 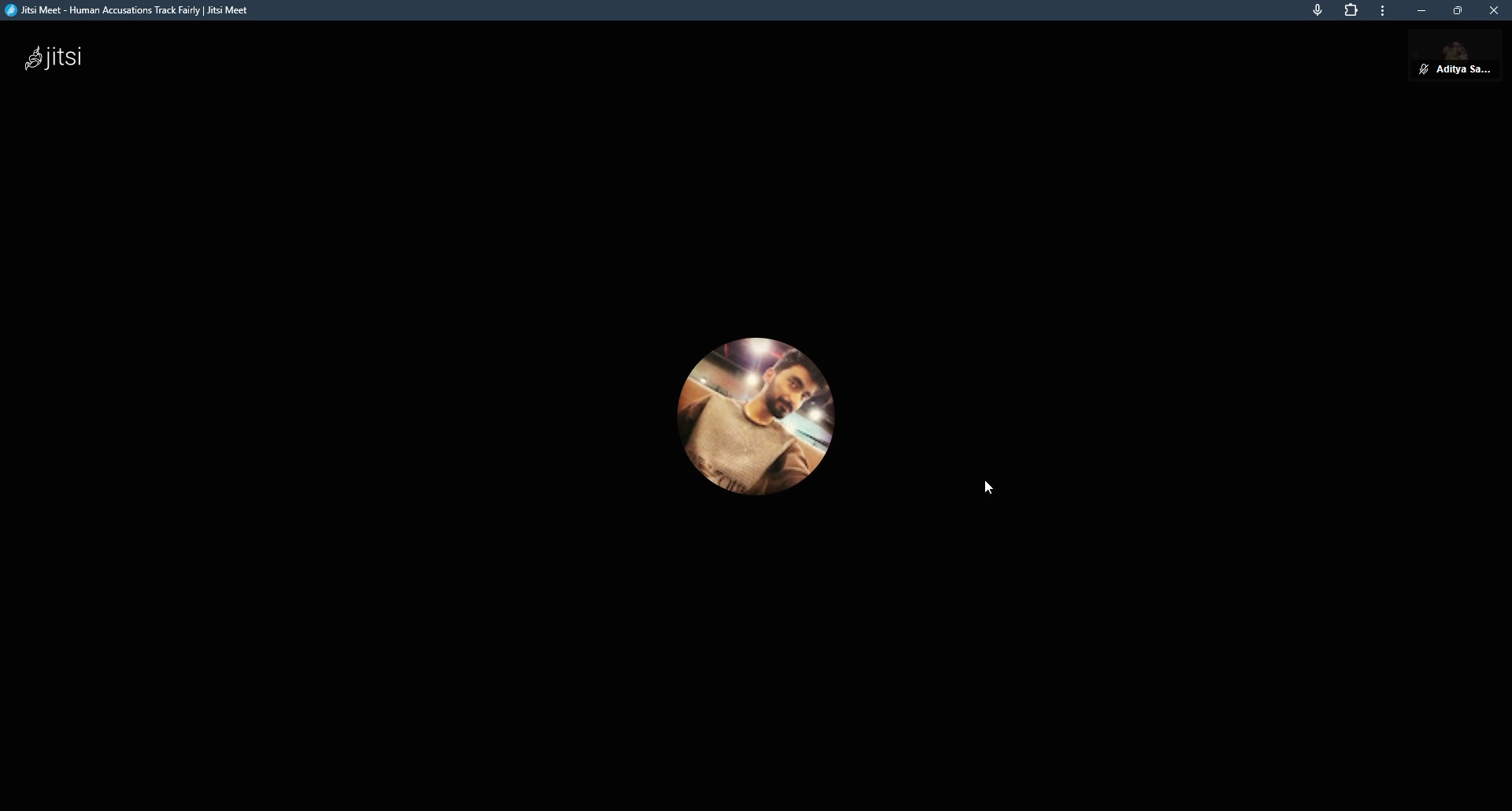 What do you see at coordinates (1495, 11) in the screenshot?
I see `close` at bounding box center [1495, 11].